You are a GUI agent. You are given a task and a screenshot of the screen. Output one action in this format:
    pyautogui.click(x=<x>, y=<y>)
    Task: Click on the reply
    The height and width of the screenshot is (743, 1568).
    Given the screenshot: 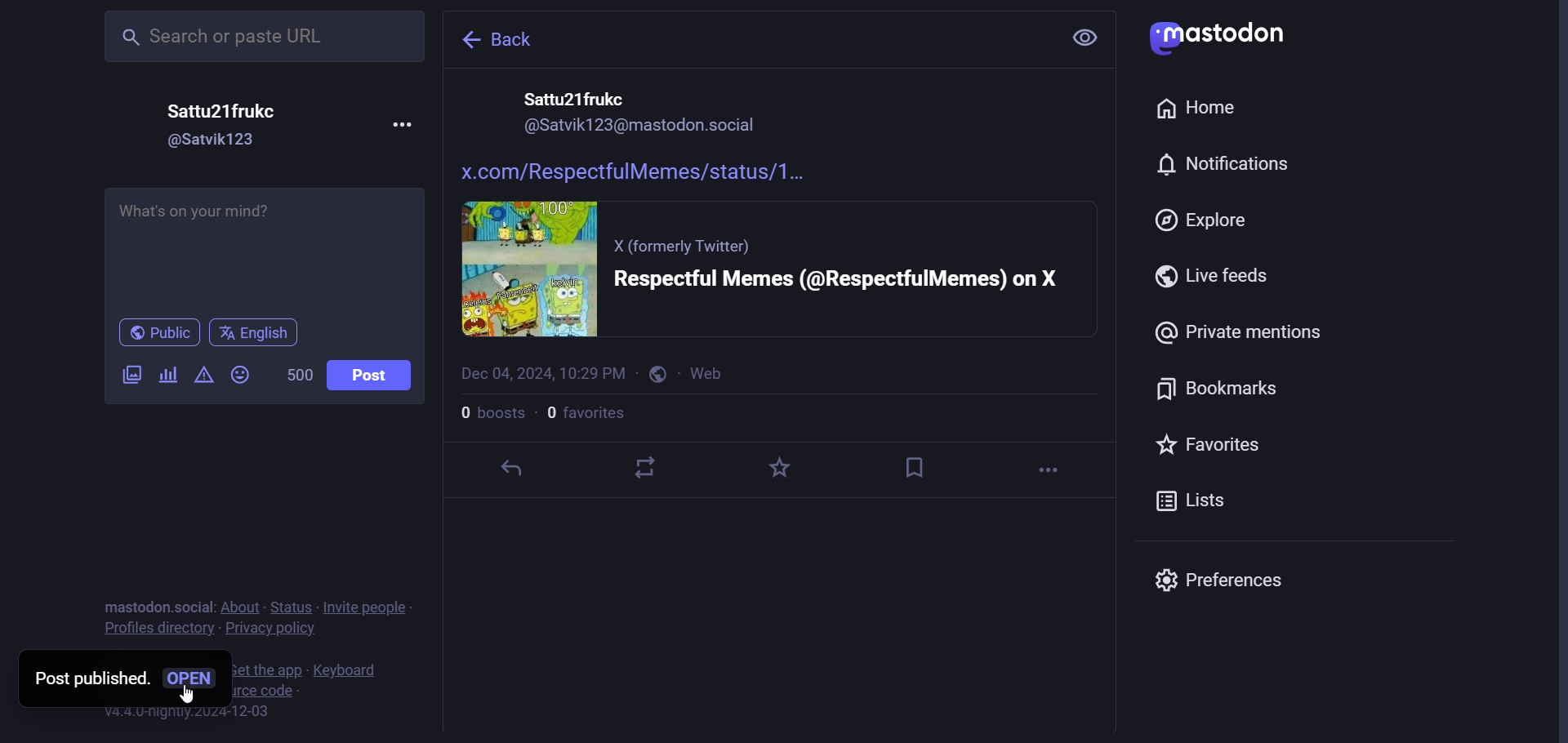 What is the action you would take?
    pyautogui.click(x=508, y=471)
    